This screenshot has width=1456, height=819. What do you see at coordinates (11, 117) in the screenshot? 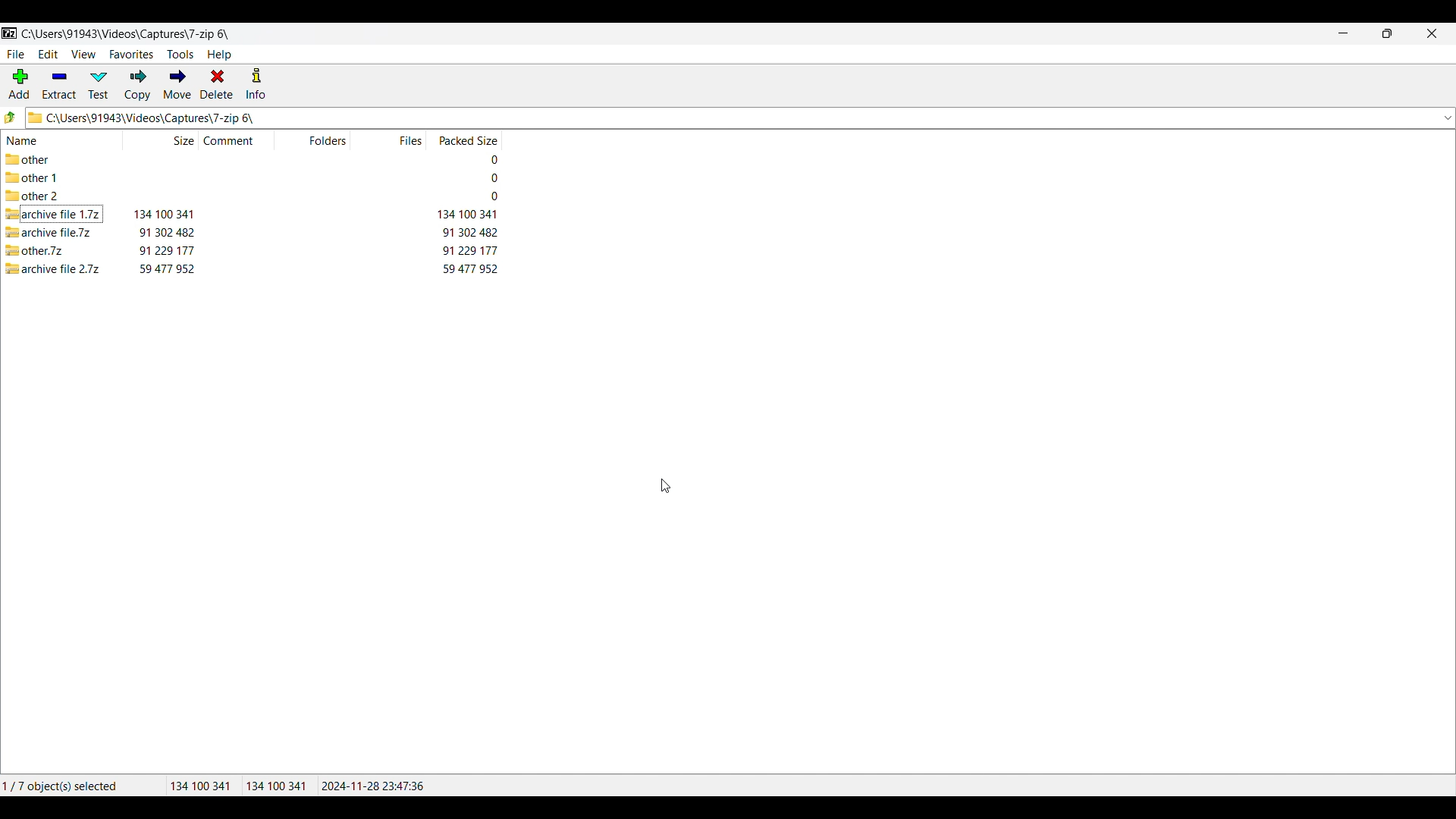
I see `Go to previous folder` at bounding box center [11, 117].